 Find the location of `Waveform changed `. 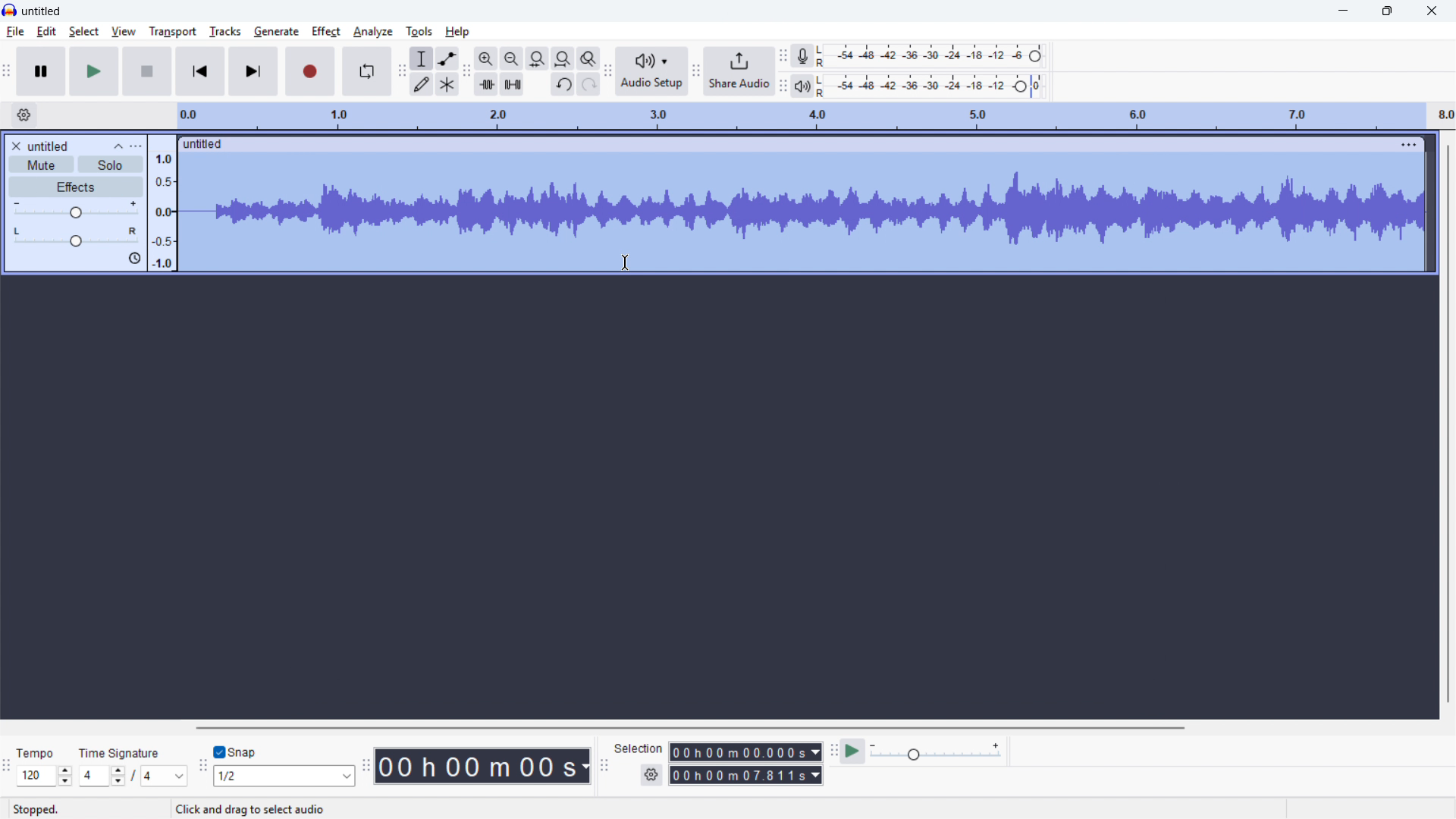

Waveform changed  is located at coordinates (800, 211).